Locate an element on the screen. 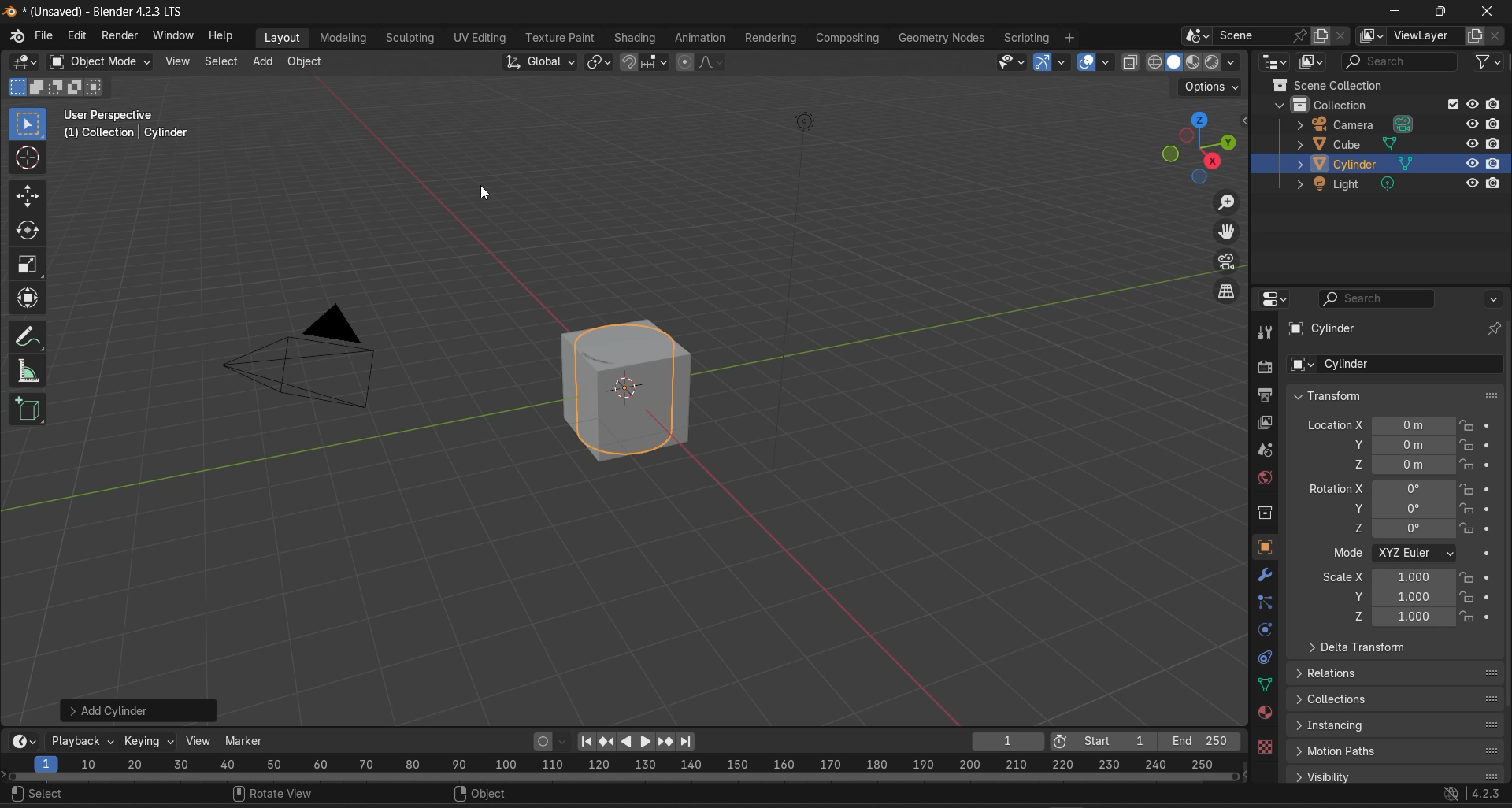 This screenshot has width=1512, height=808. hide in view port is located at coordinates (1471, 142).